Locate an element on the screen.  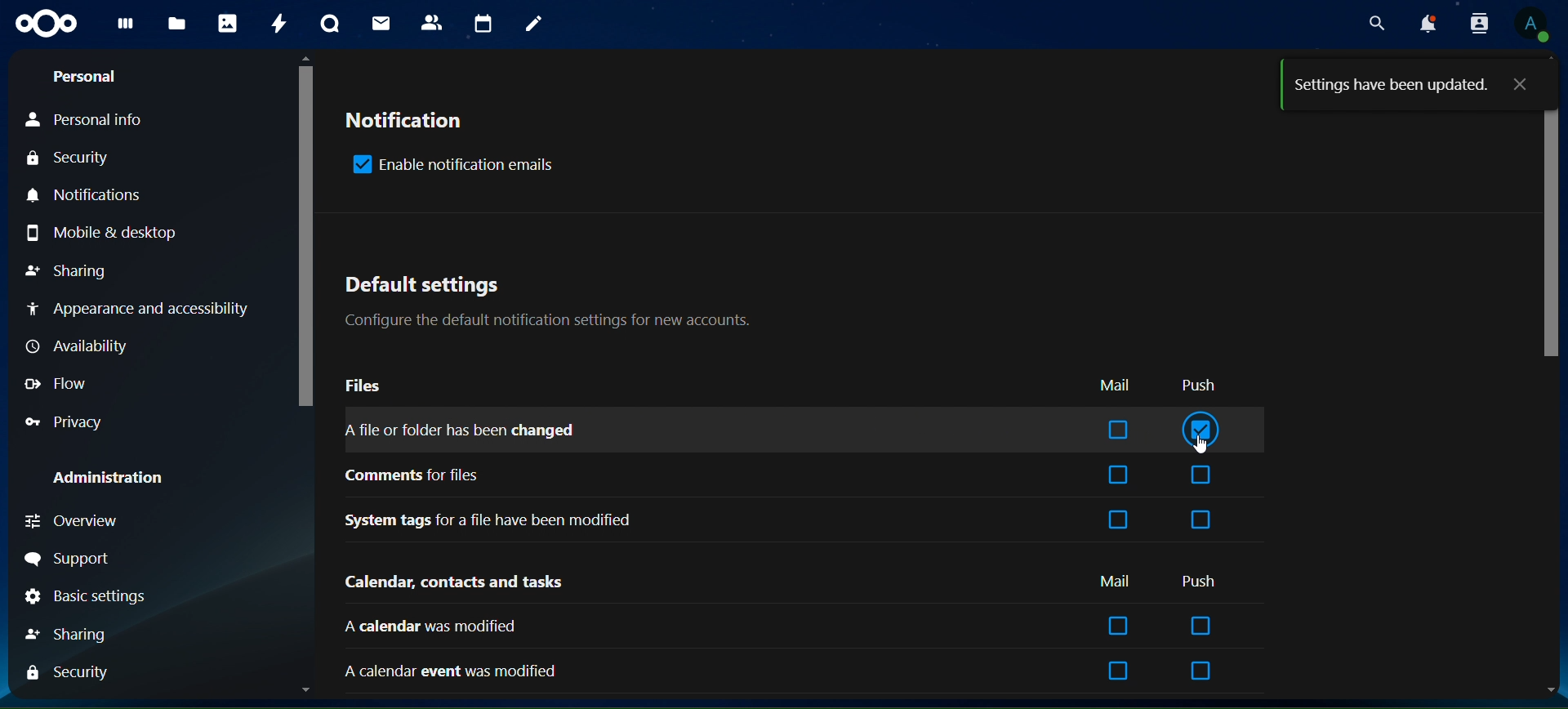
box is located at coordinates (1118, 672).